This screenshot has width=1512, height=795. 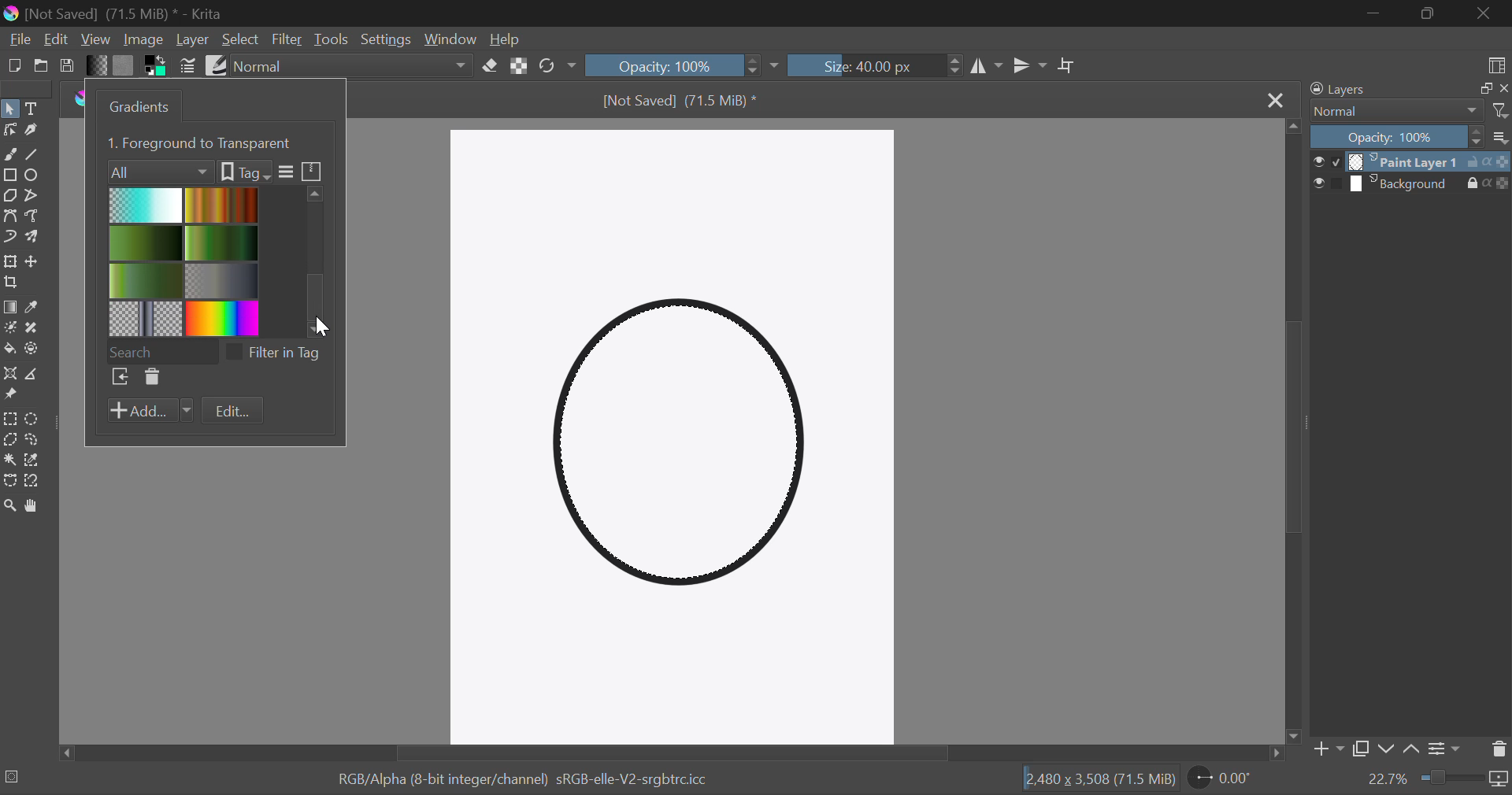 What do you see at coordinates (36, 198) in the screenshot?
I see `Polyline` at bounding box center [36, 198].